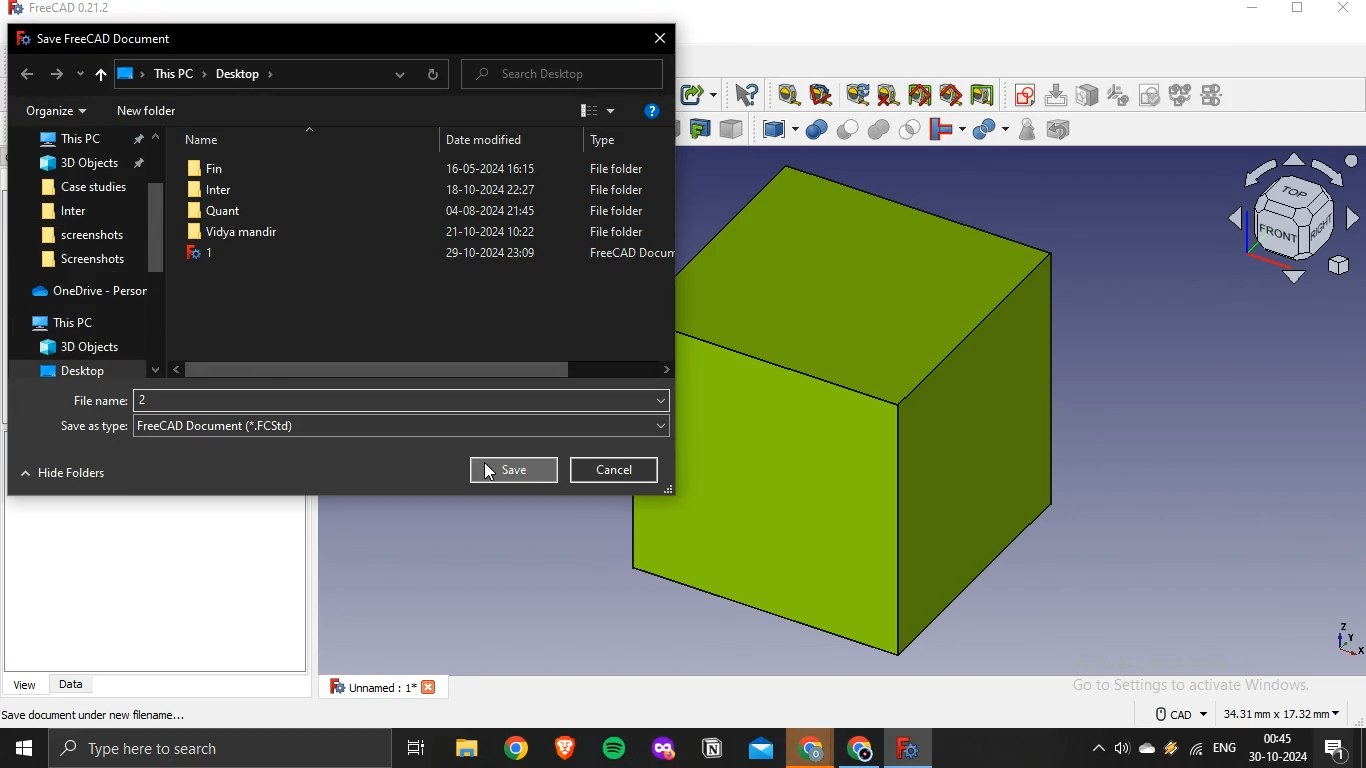 The height and width of the screenshot is (768, 1366). Describe the element at coordinates (140, 713) in the screenshot. I see `save active document` at that location.